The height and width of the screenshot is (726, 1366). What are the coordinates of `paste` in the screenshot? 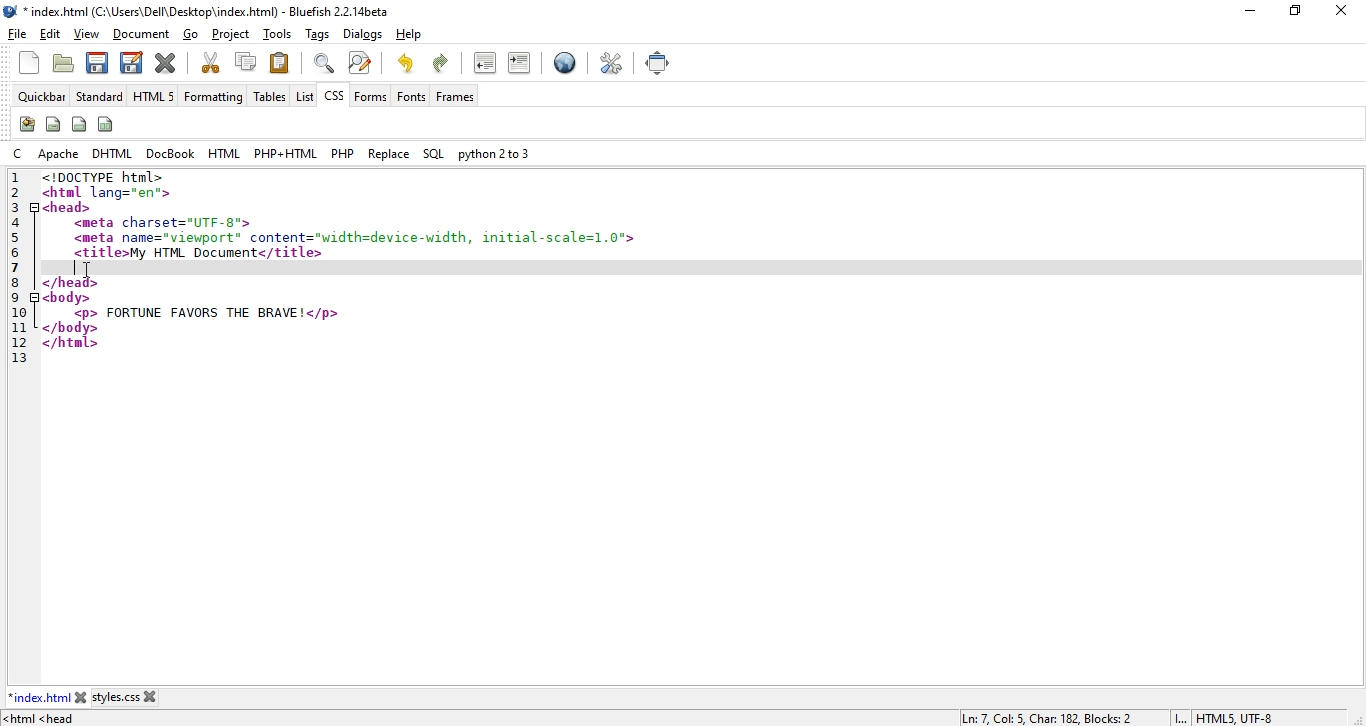 It's located at (280, 62).